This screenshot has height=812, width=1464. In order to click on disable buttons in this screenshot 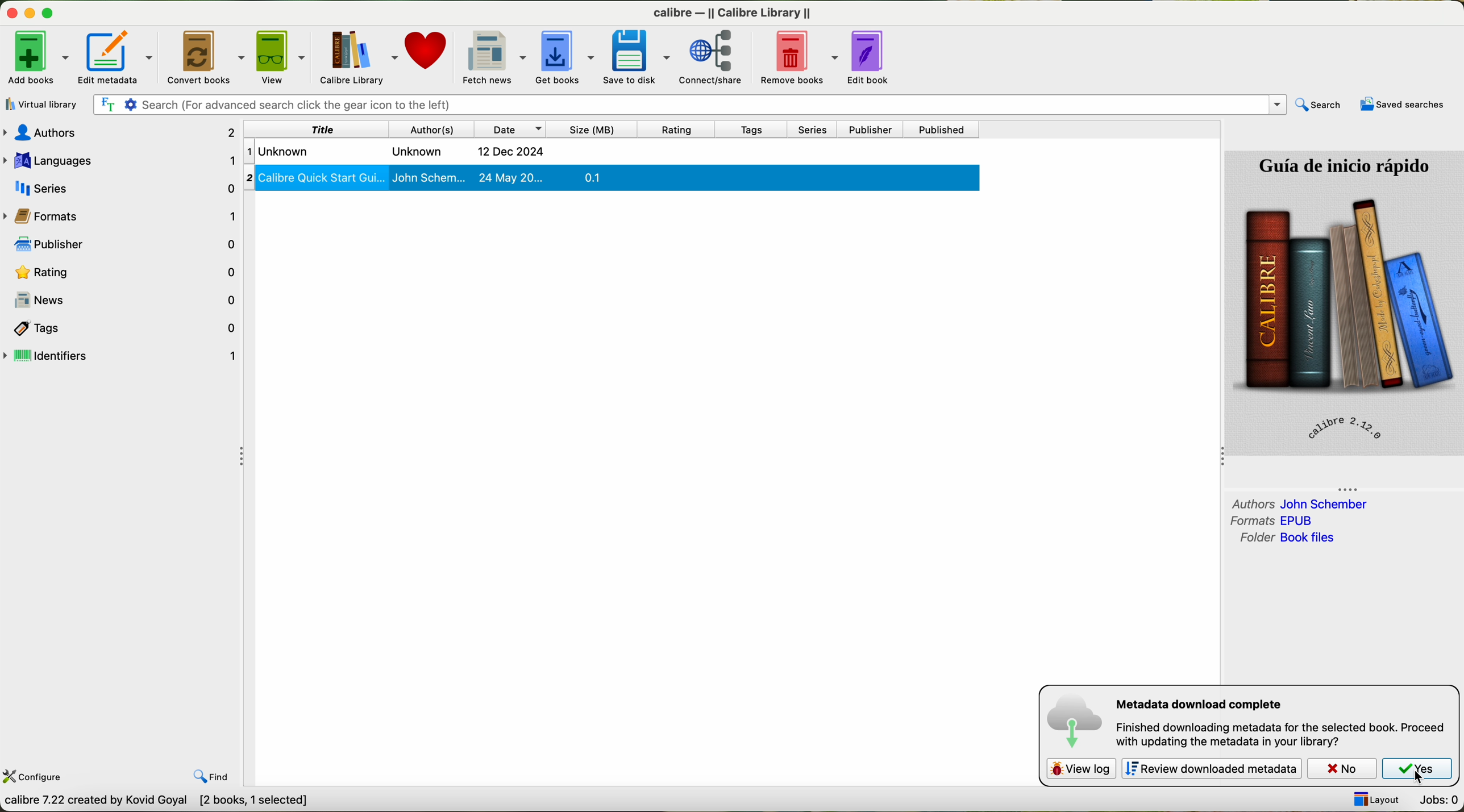, I will do `click(30, 11)`.